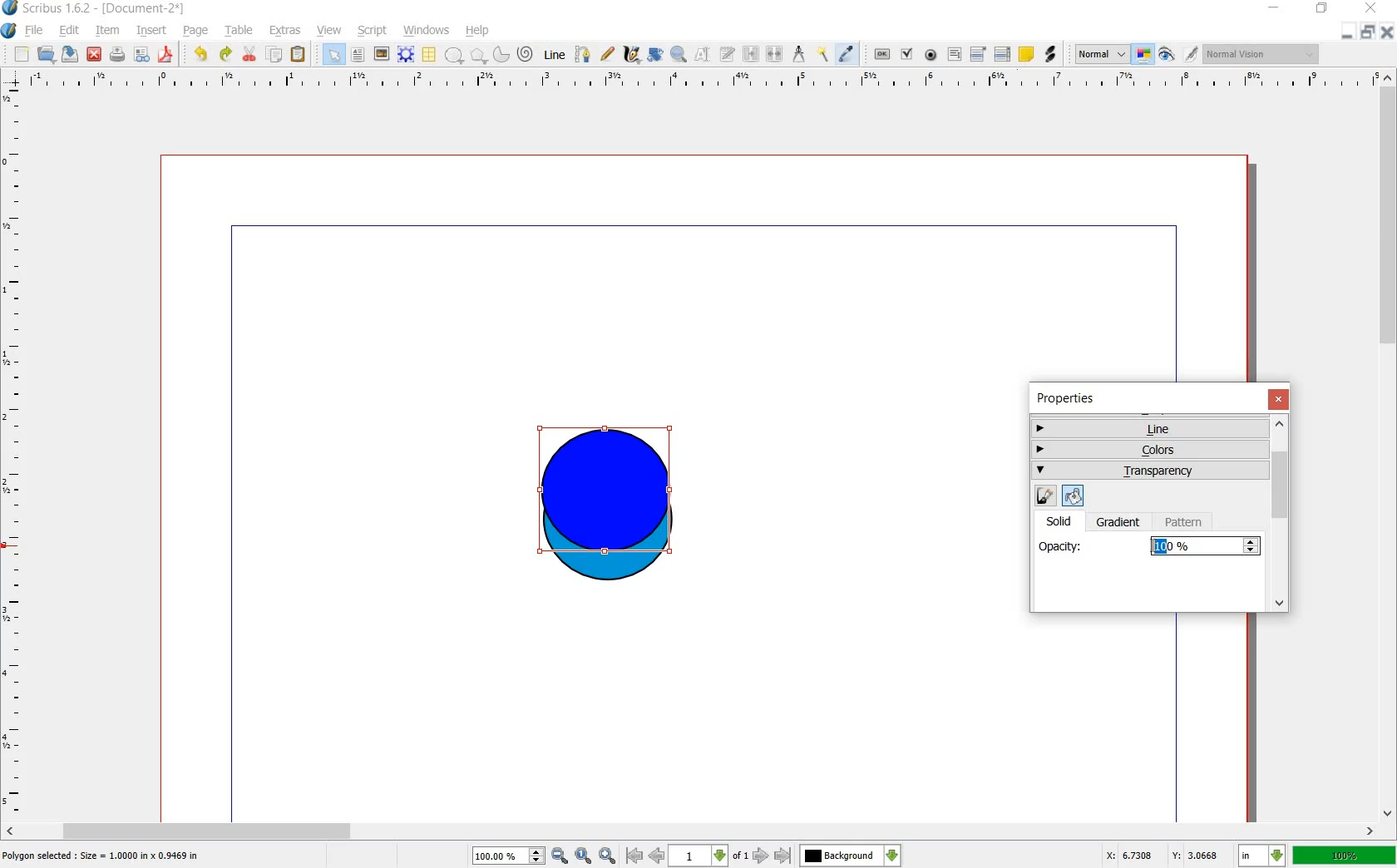  I want to click on 100%, so click(499, 855).